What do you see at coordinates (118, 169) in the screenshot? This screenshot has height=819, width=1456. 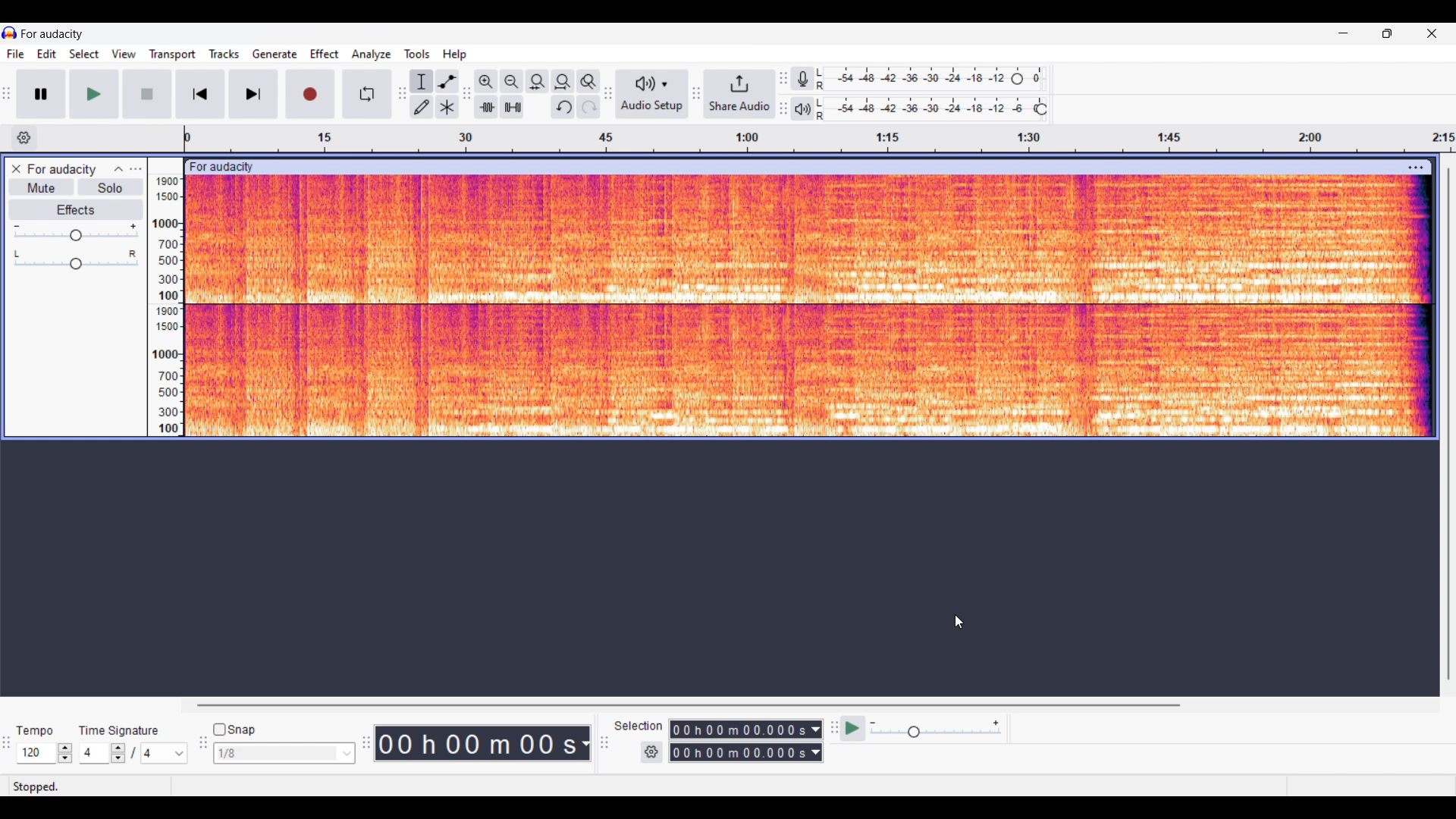 I see `Collapse` at bounding box center [118, 169].